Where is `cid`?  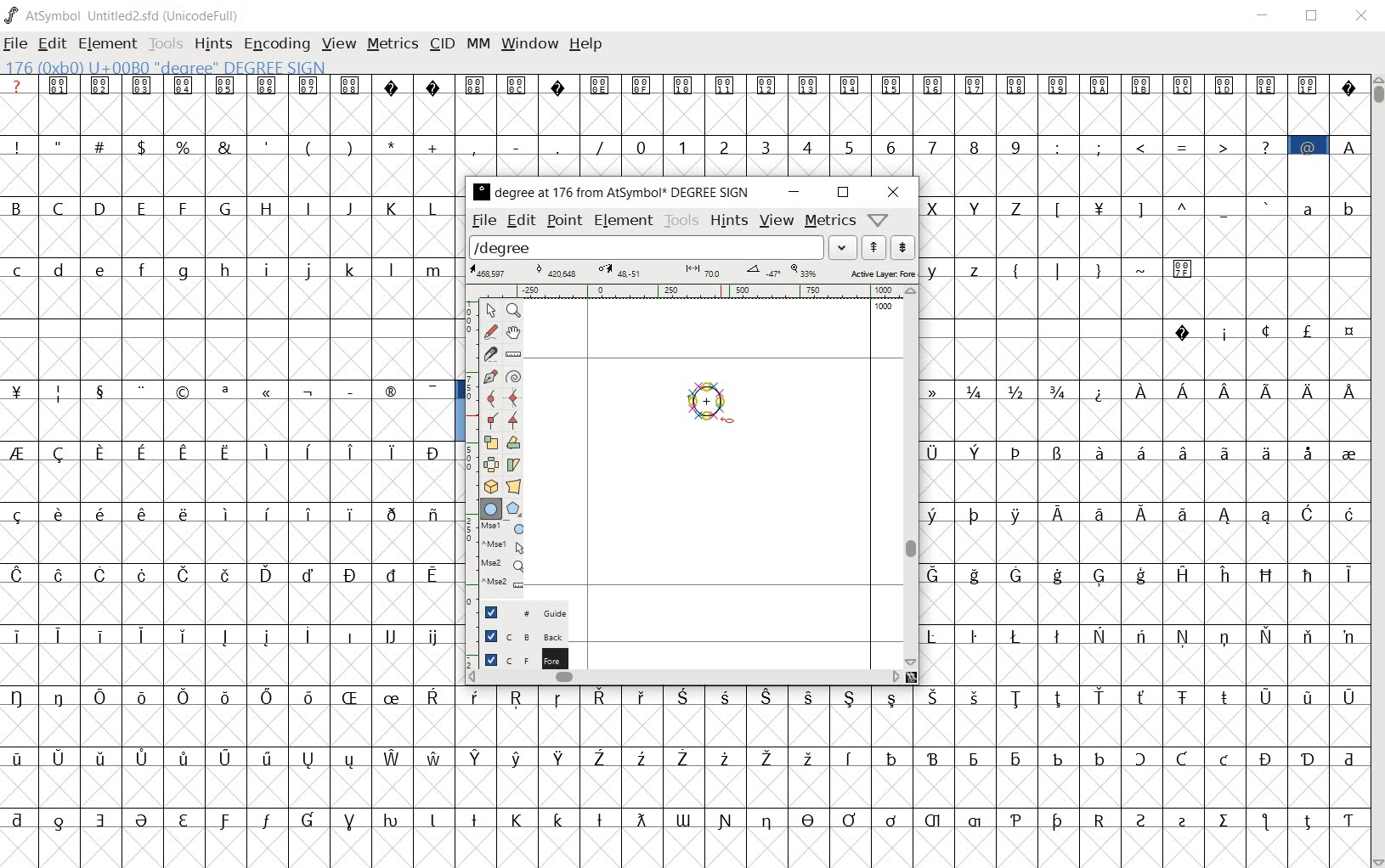 cid is located at coordinates (443, 44).